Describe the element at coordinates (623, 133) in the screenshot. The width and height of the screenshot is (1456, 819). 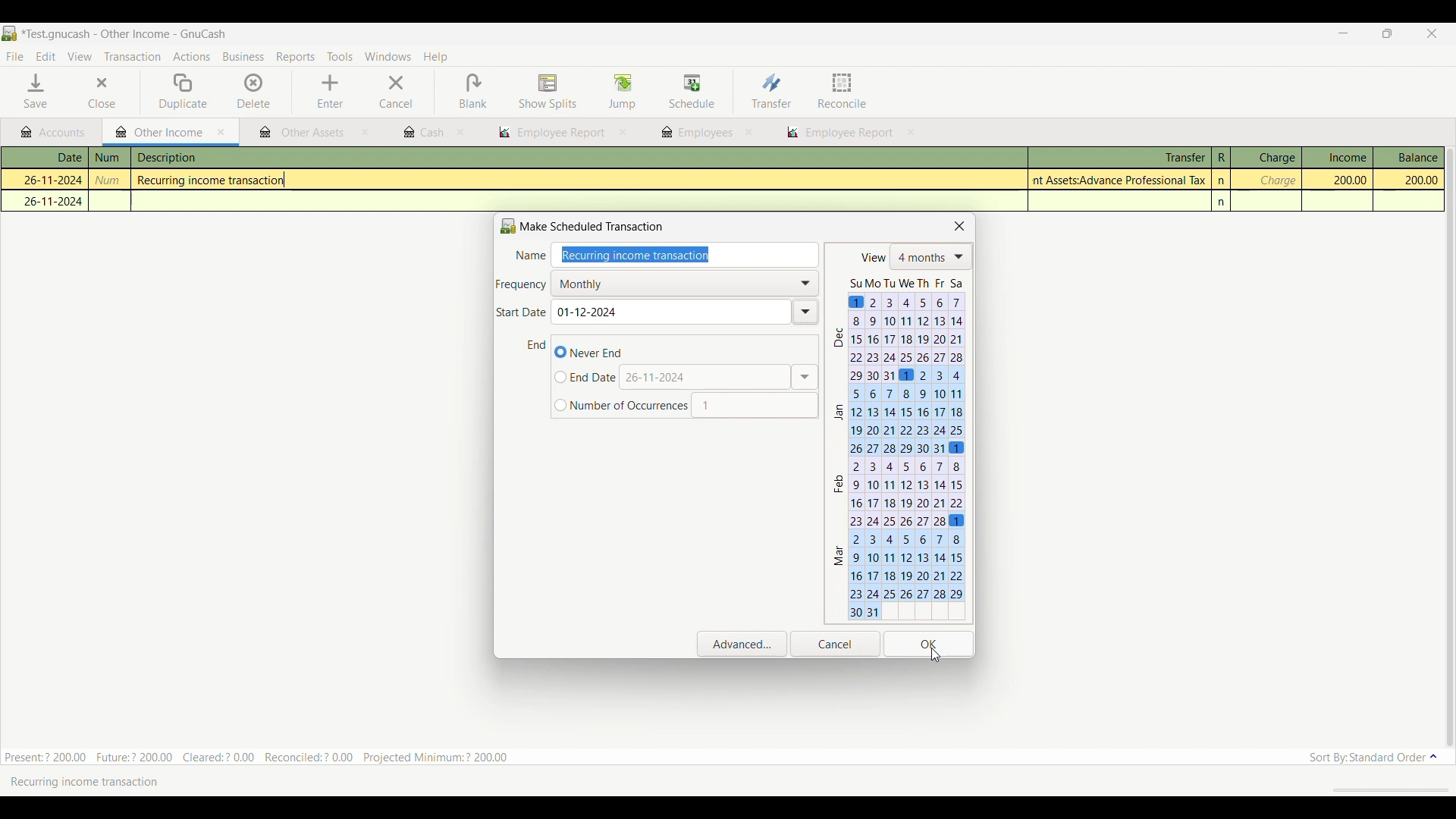
I see `close` at that location.